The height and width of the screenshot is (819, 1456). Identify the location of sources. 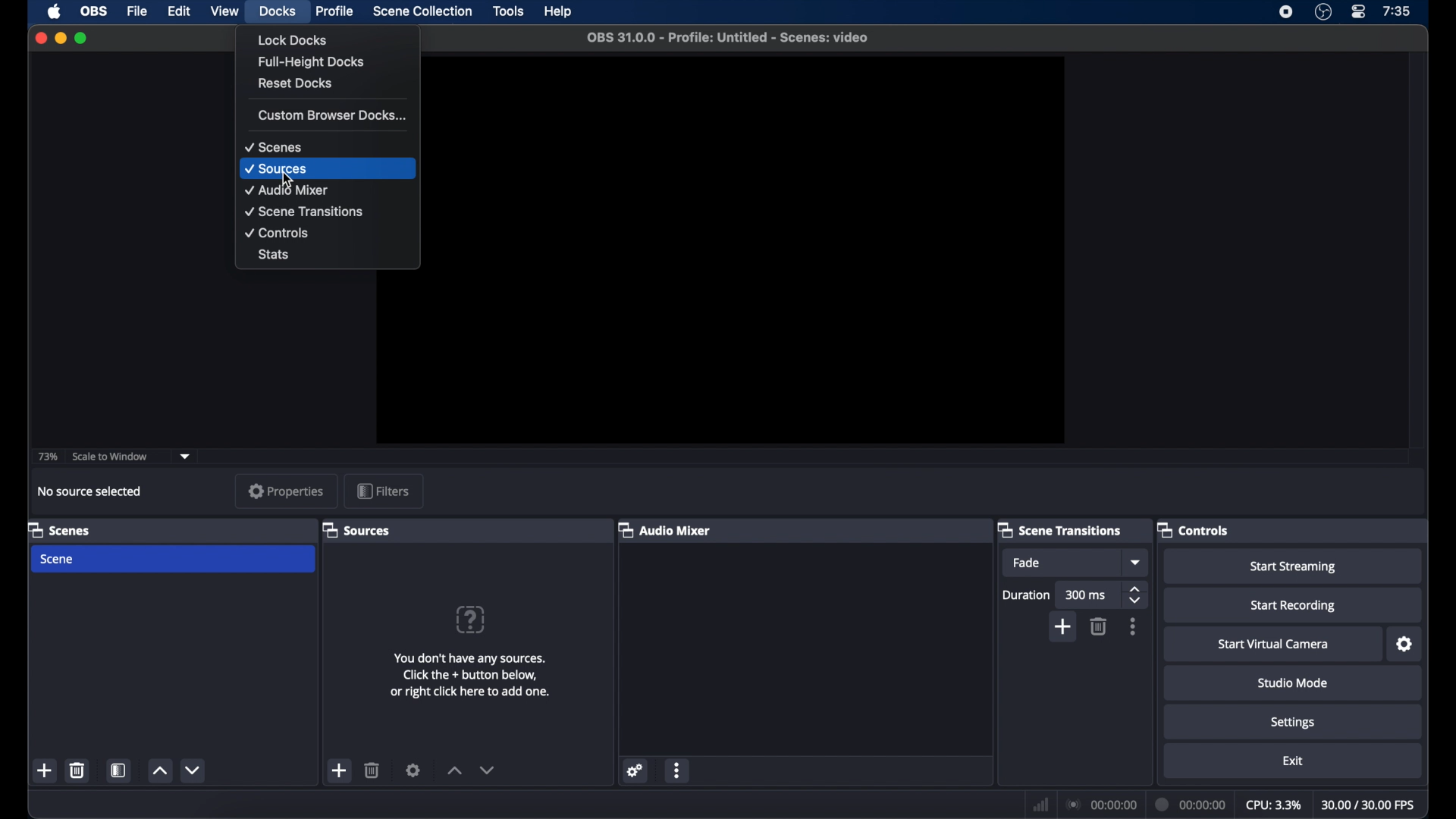
(358, 529).